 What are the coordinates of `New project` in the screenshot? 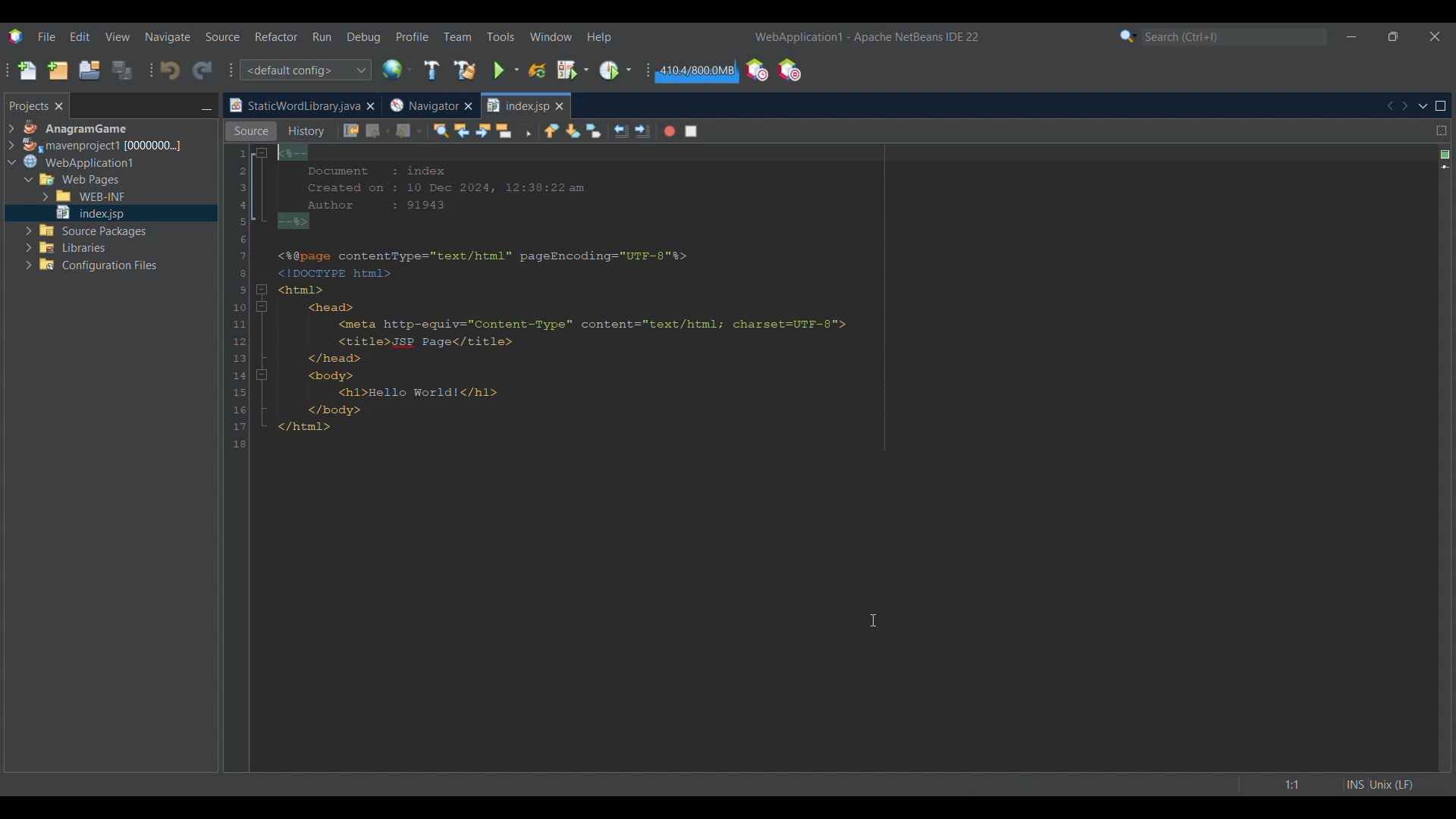 It's located at (58, 70).